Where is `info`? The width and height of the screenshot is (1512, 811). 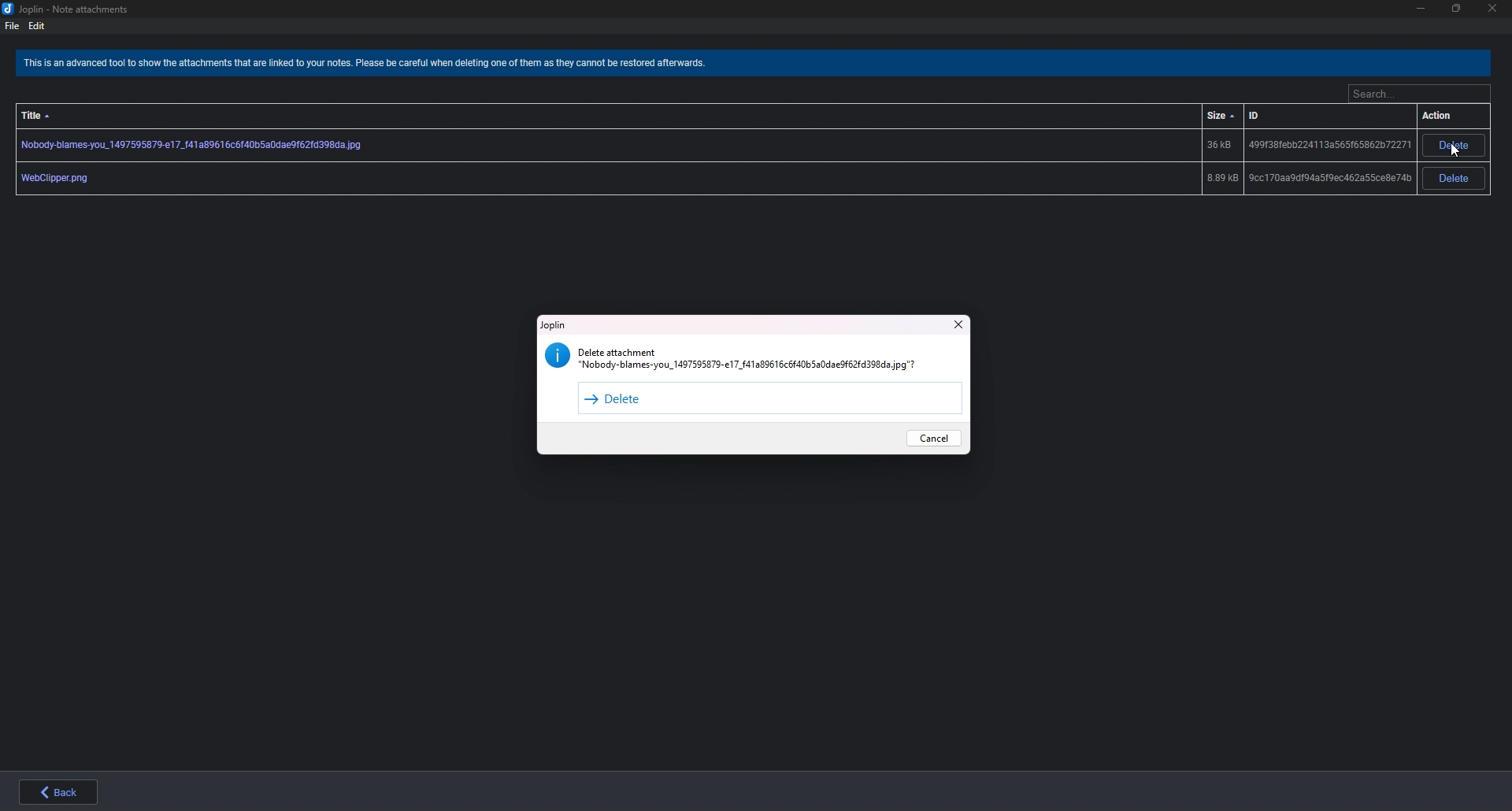
info is located at coordinates (558, 356).